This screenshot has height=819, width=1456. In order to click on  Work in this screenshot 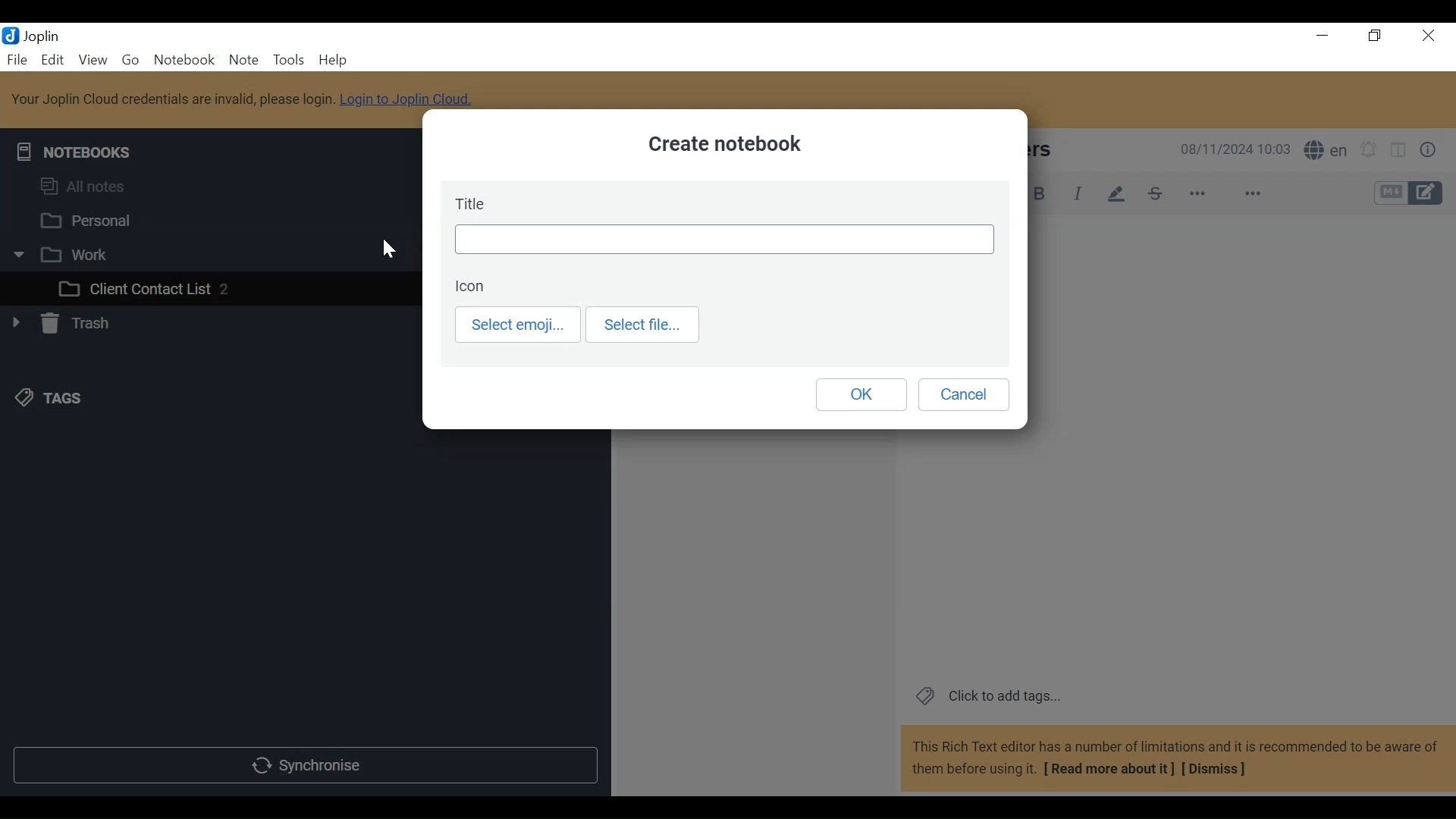, I will do `click(61, 253)`.